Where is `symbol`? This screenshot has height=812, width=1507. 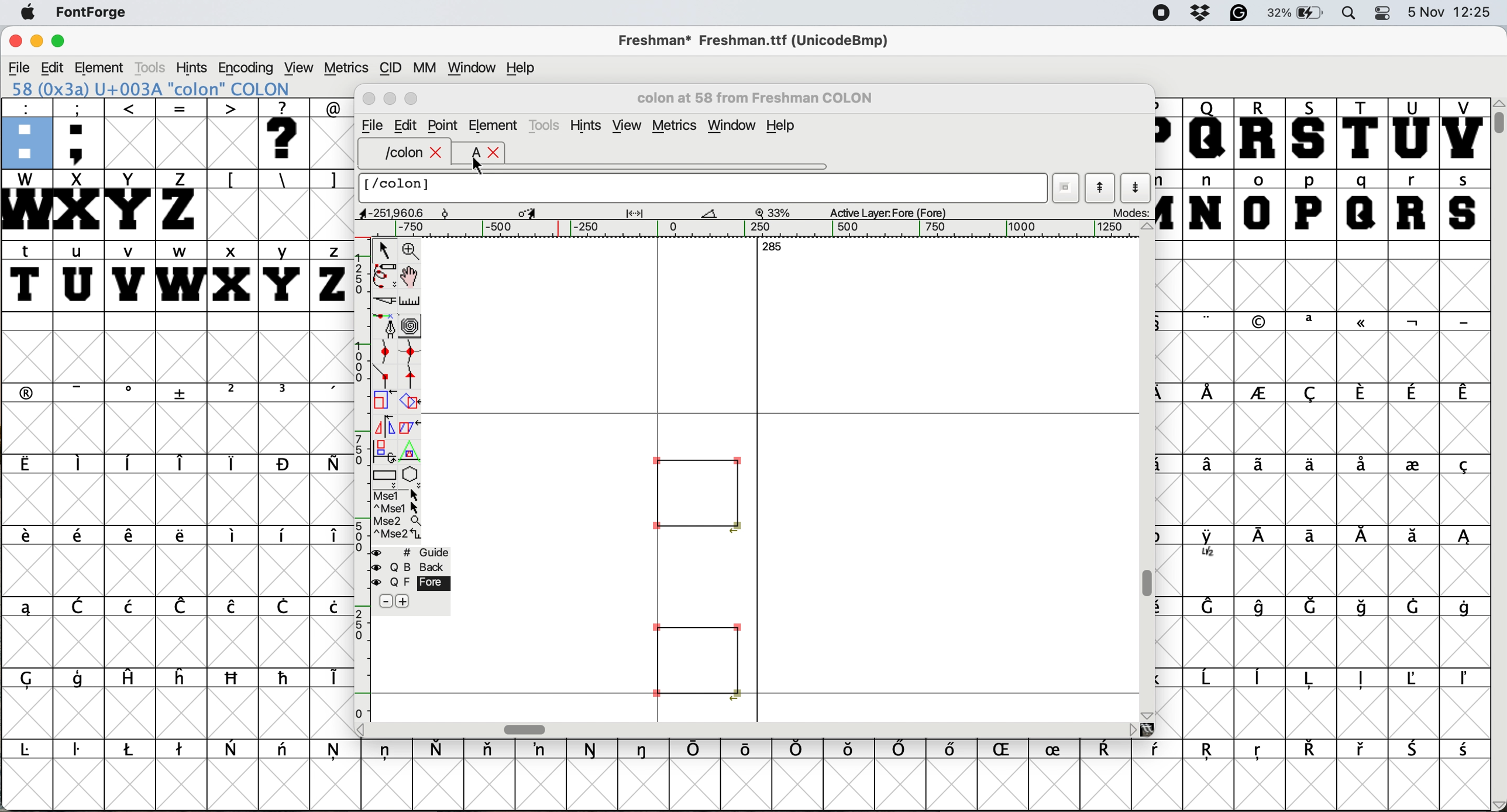 symbol is located at coordinates (747, 748).